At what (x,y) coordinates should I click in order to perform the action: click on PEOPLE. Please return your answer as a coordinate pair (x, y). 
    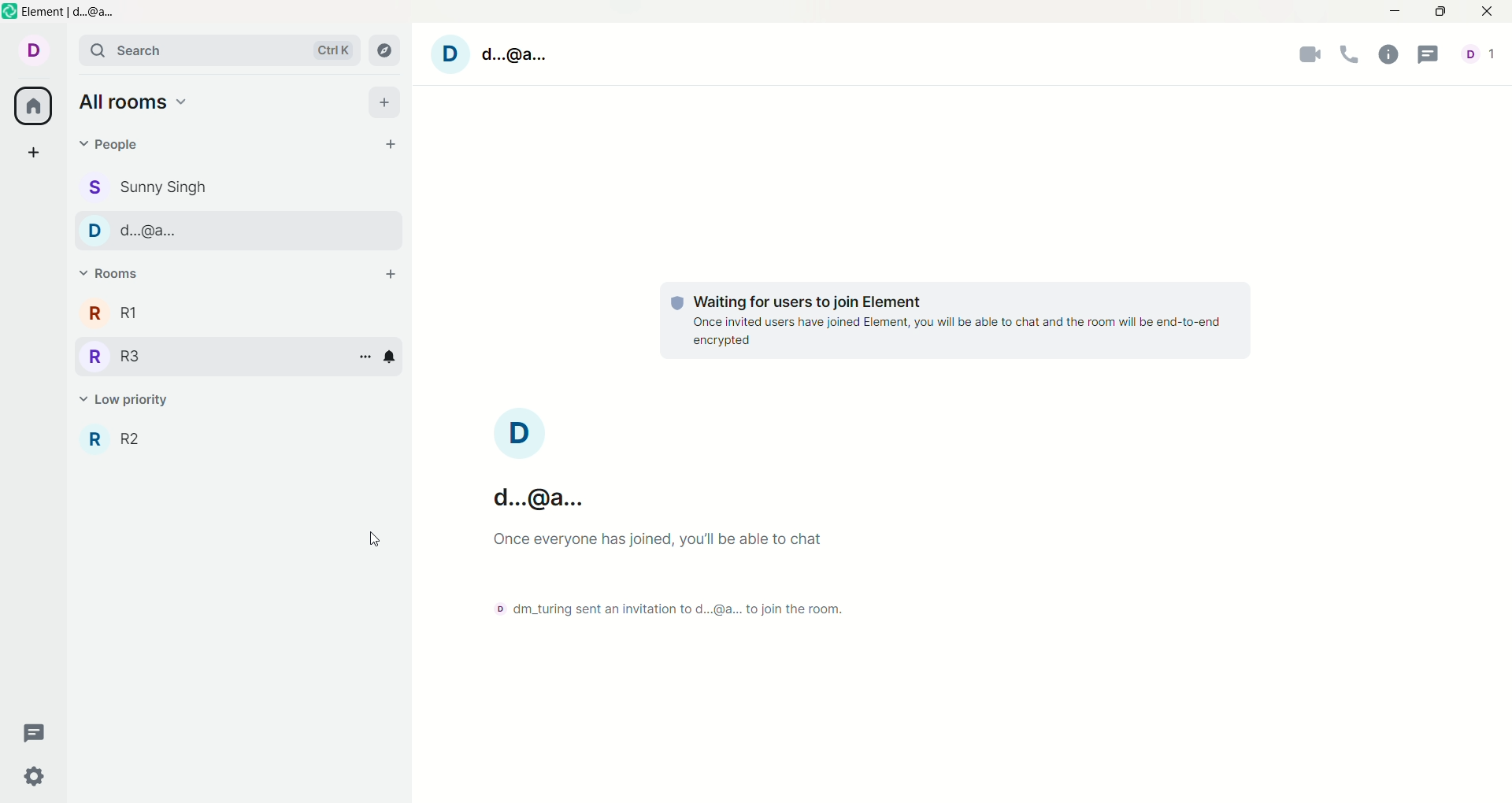
    Looking at the image, I should click on (144, 230).